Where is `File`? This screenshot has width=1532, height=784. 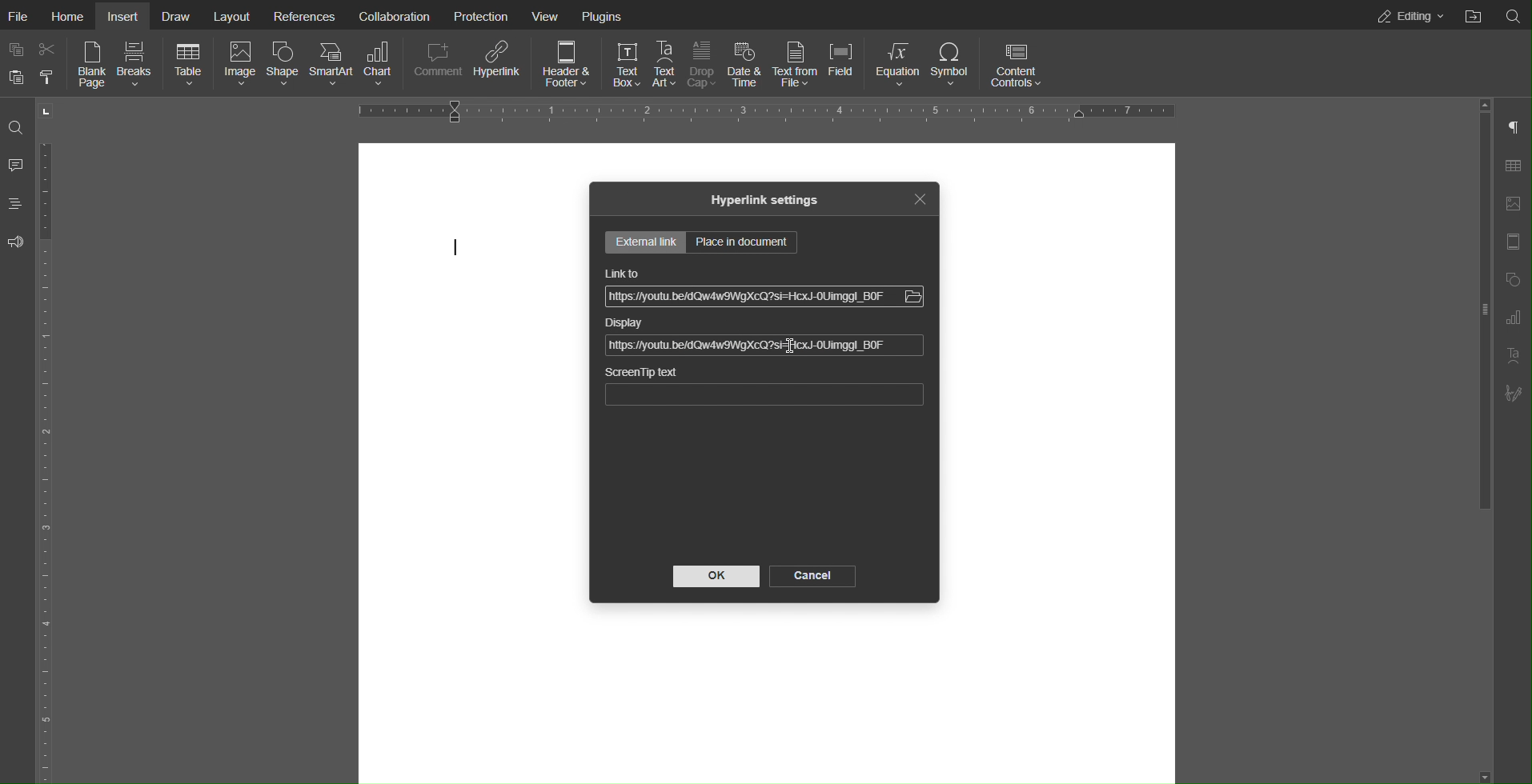 File is located at coordinates (22, 16).